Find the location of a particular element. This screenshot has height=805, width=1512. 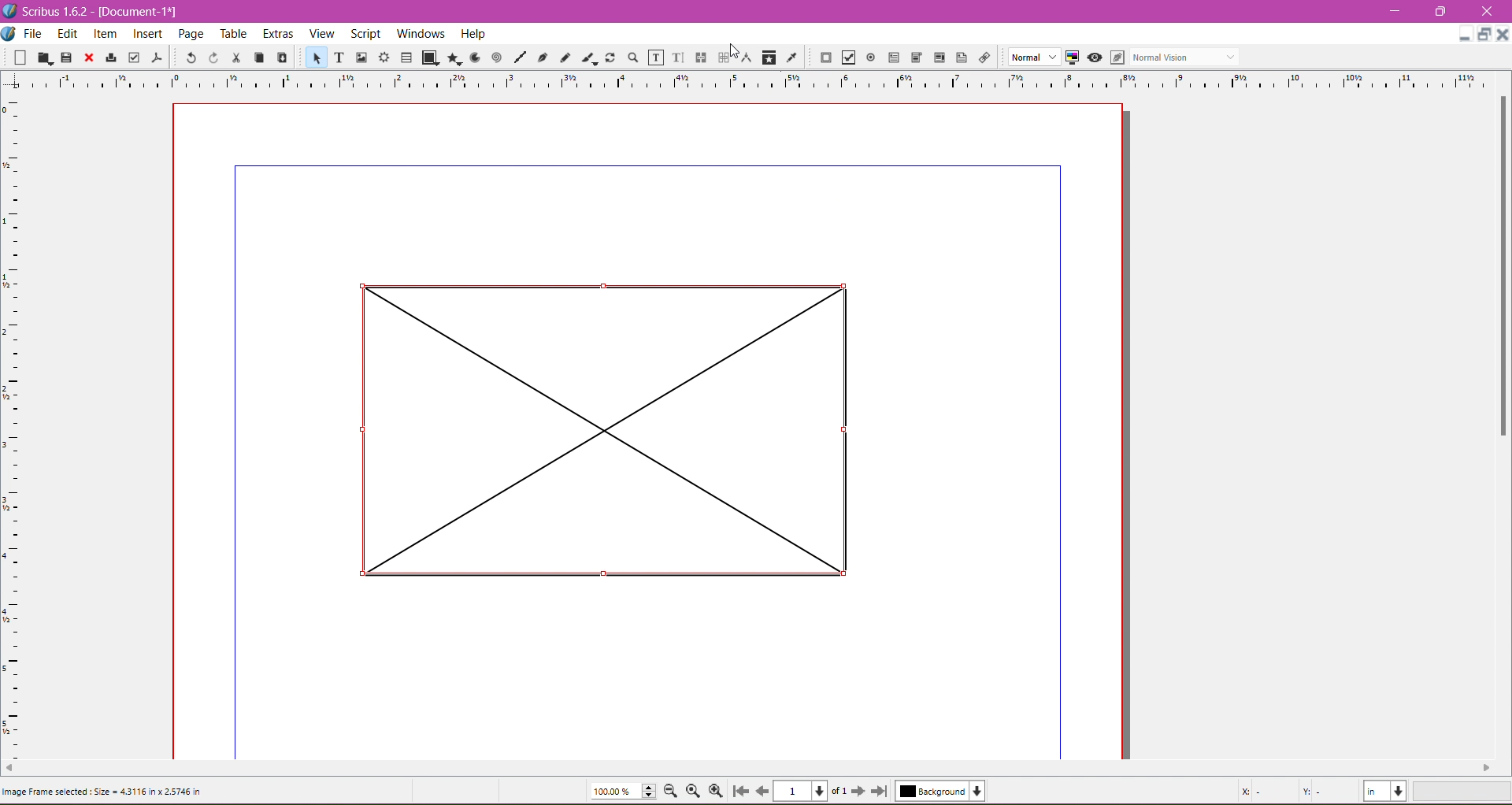

Save is located at coordinates (67, 57).